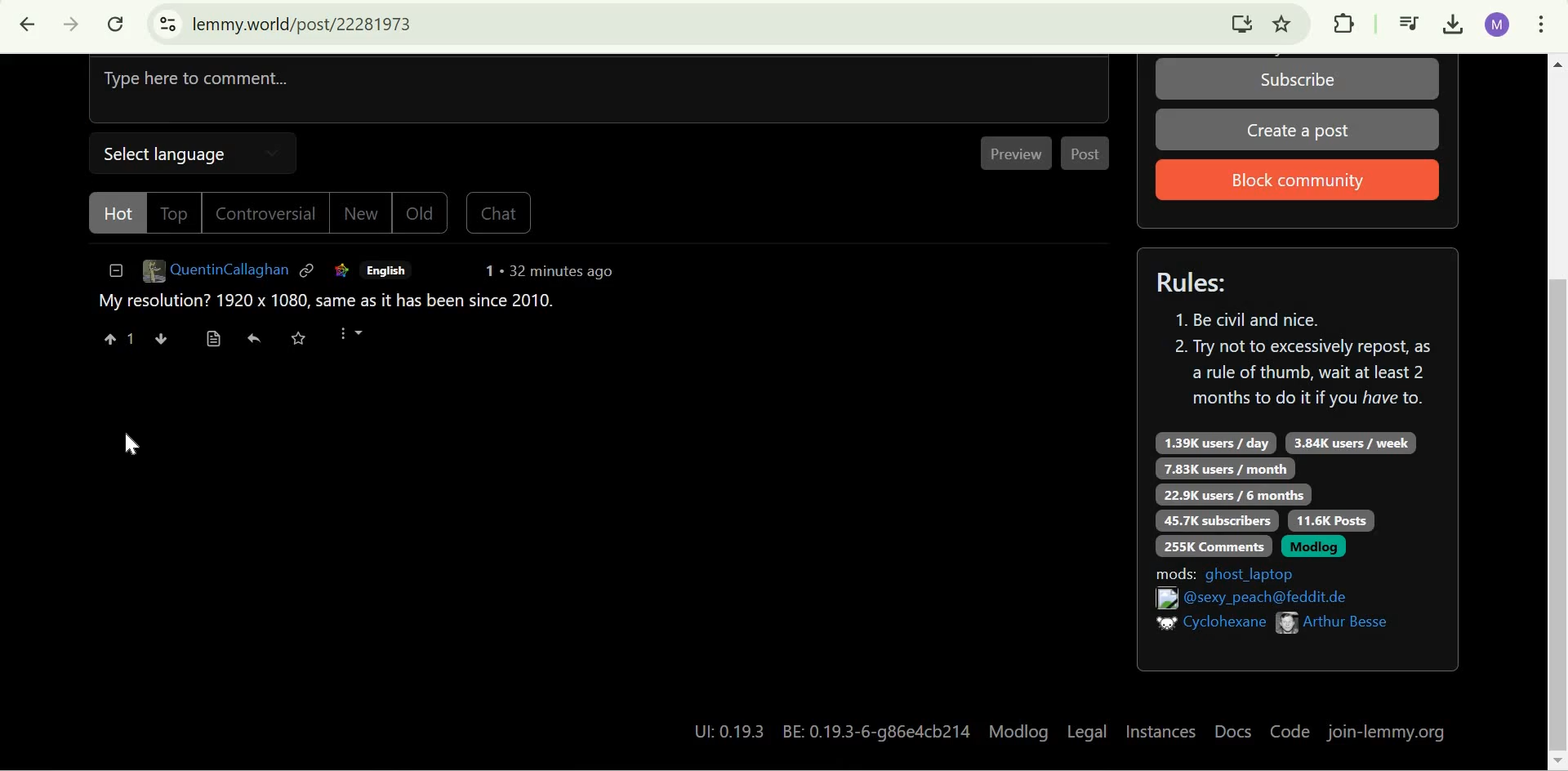 Image resolution: width=1568 pixels, height=771 pixels. I want to click on 45.7K subscribers, so click(1219, 519).